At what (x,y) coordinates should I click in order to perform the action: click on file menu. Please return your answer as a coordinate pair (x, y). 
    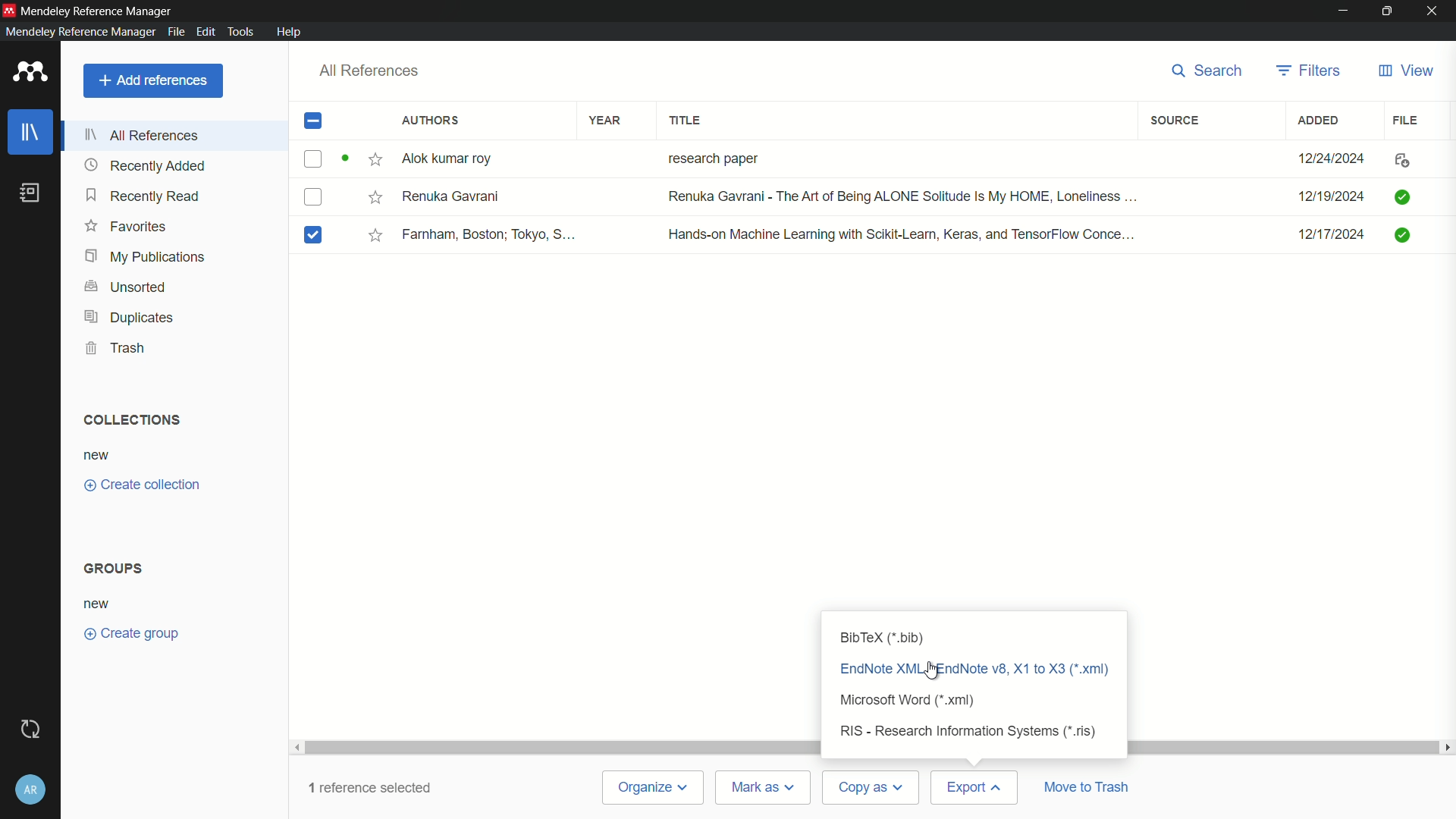
    Looking at the image, I should click on (177, 33).